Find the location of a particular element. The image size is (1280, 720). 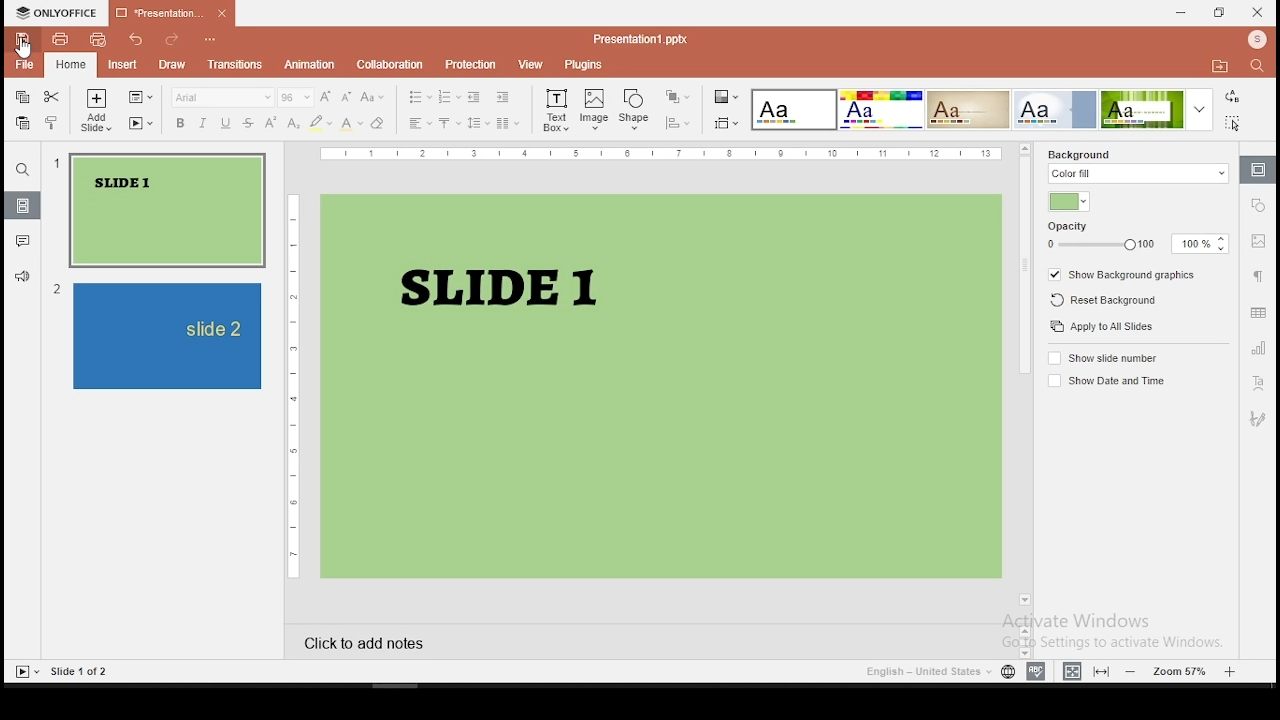

print file is located at coordinates (59, 38).